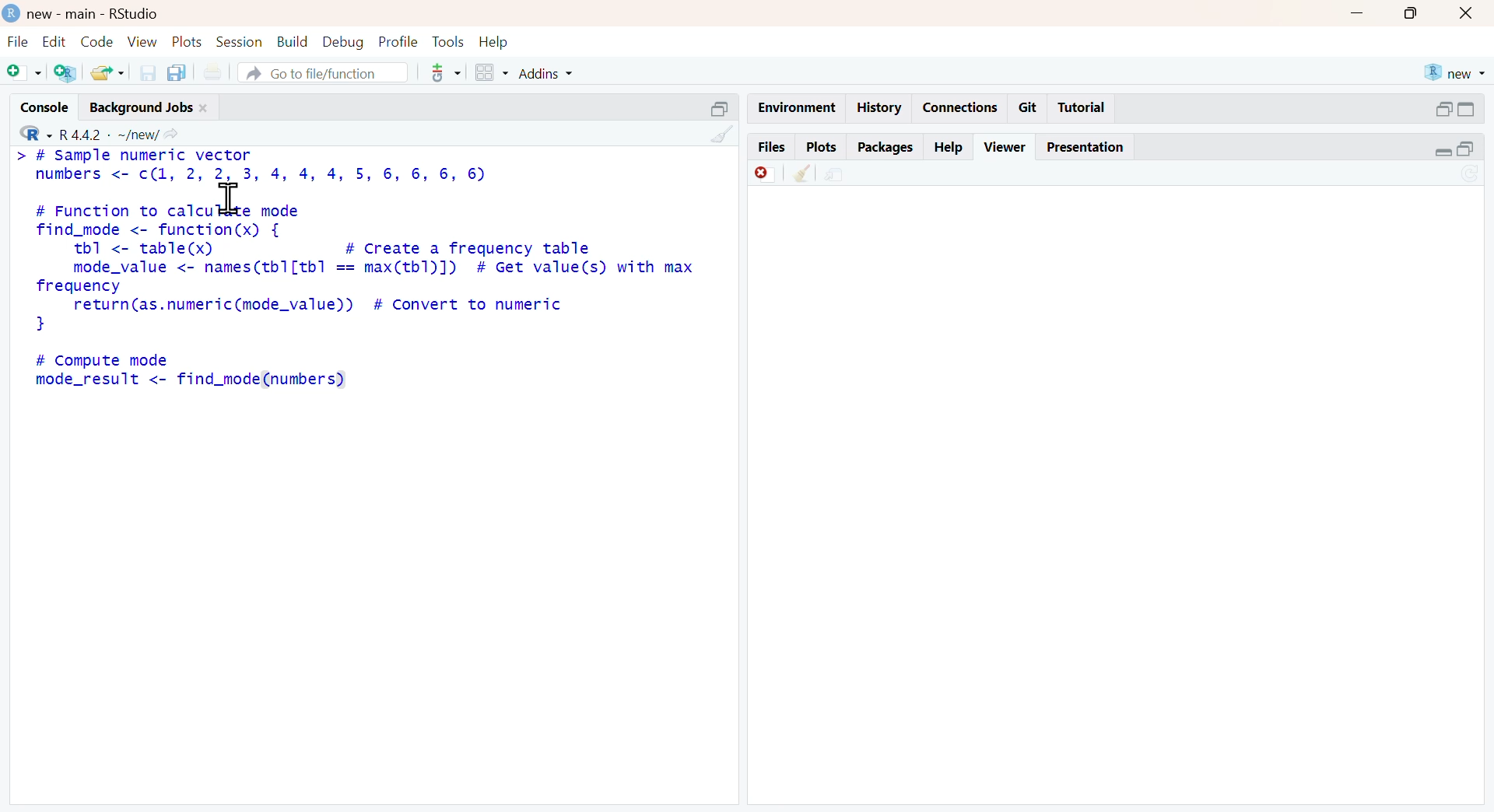 The width and height of the screenshot is (1494, 812). Describe the element at coordinates (294, 42) in the screenshot. I see `build` at that location.